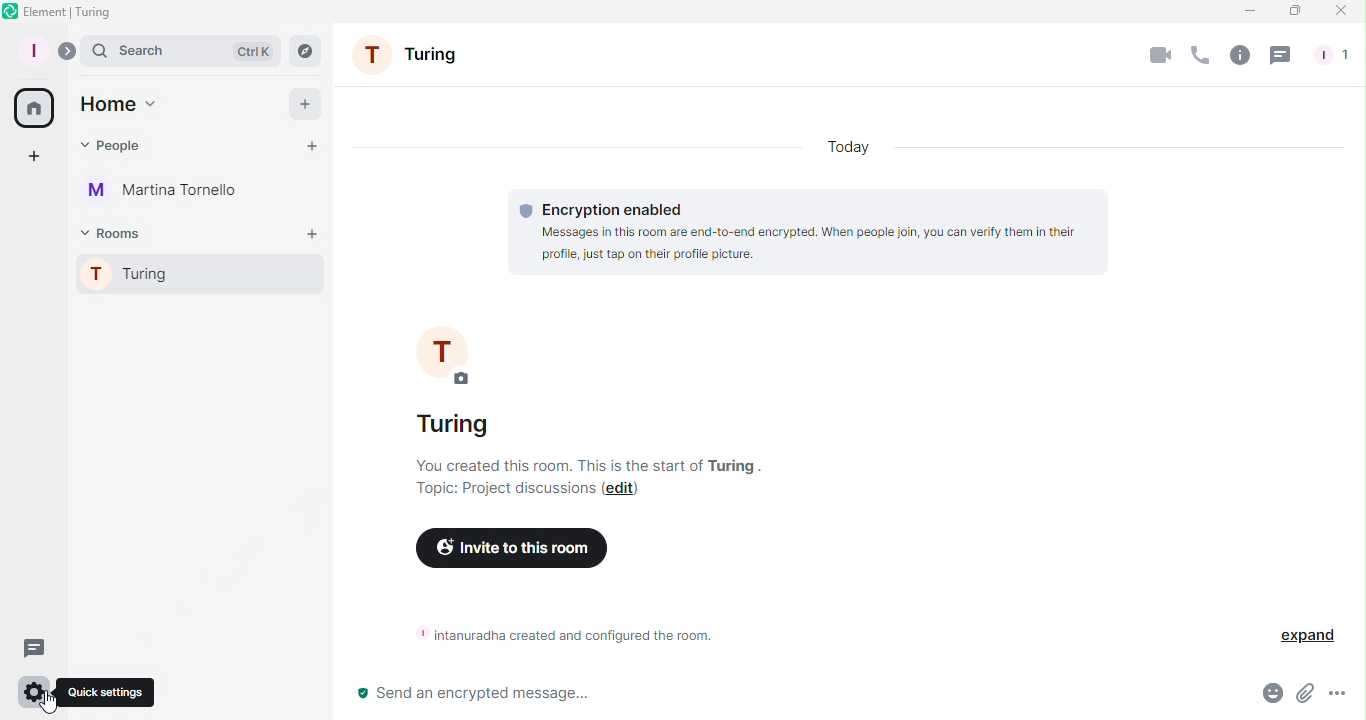  I want to click on Room information, so click(572, 639).